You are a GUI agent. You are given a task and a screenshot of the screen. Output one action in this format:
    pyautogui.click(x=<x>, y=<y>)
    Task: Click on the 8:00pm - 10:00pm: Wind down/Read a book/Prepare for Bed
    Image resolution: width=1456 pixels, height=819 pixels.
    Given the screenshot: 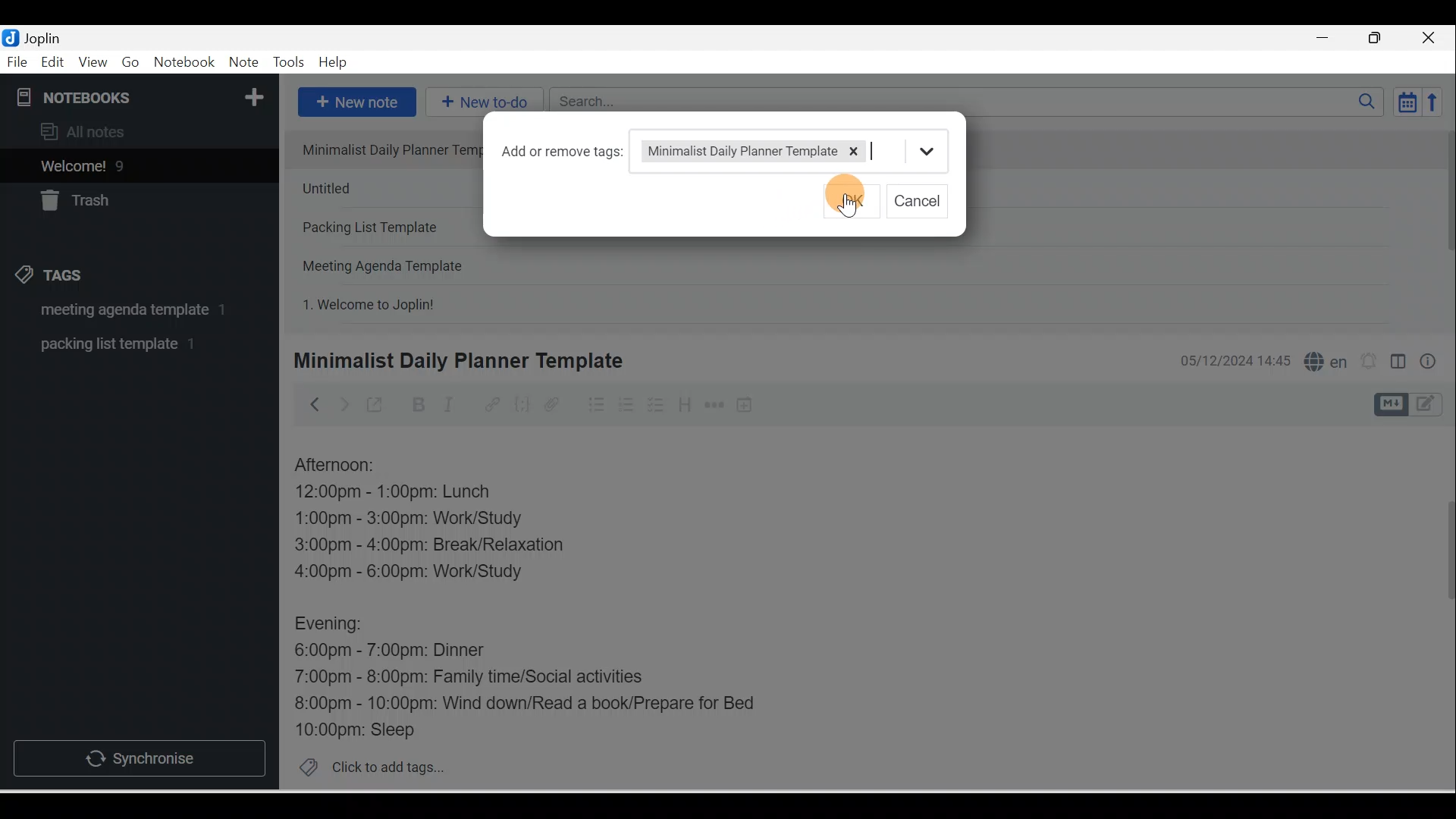 What is the action you would take?
    pyautogui.click(x=526, y=704)
    